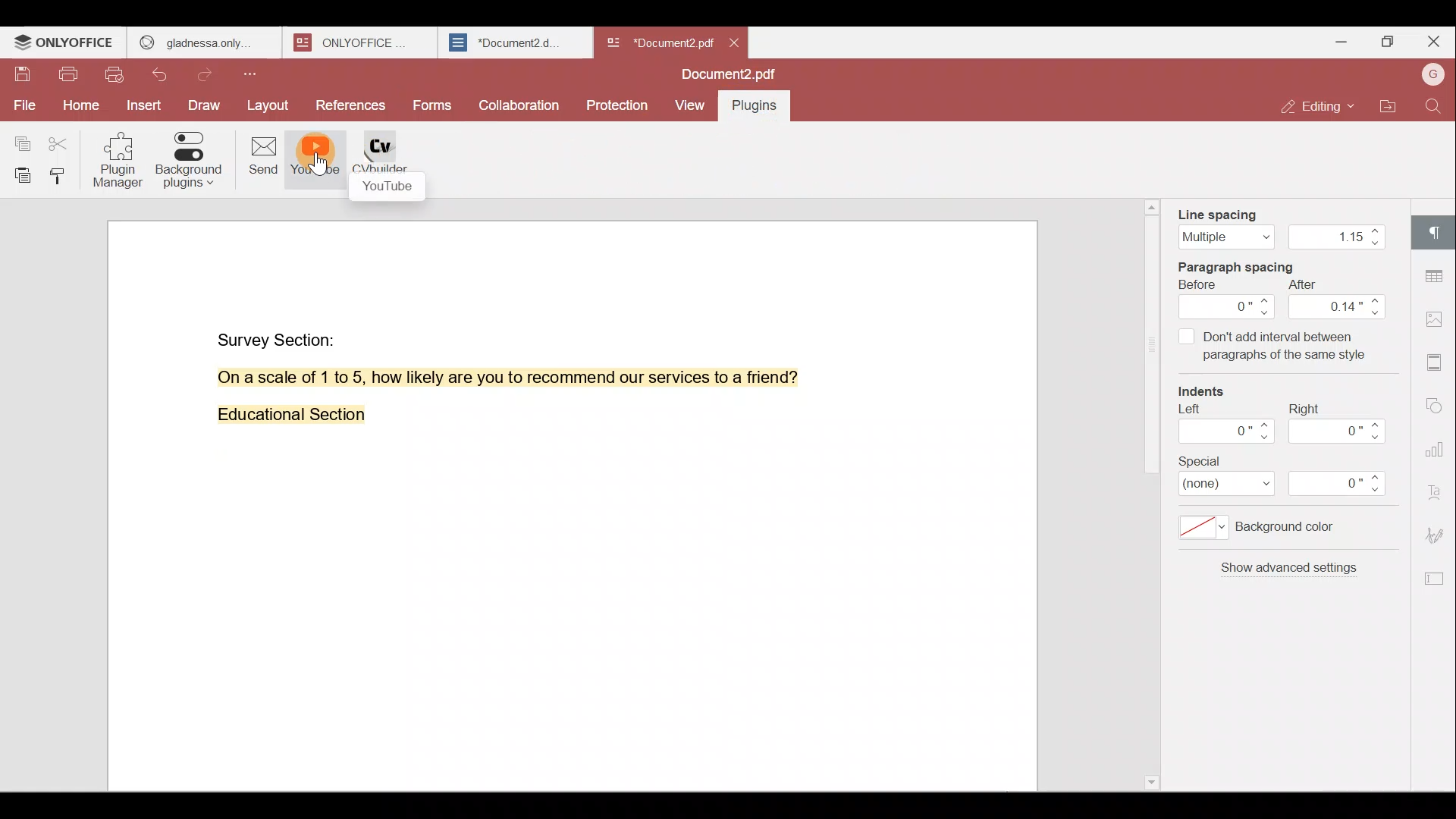  What do you see at coordinates (268, 106) in the screenshot?
I see `Layout` at bounding box center [268, 106].